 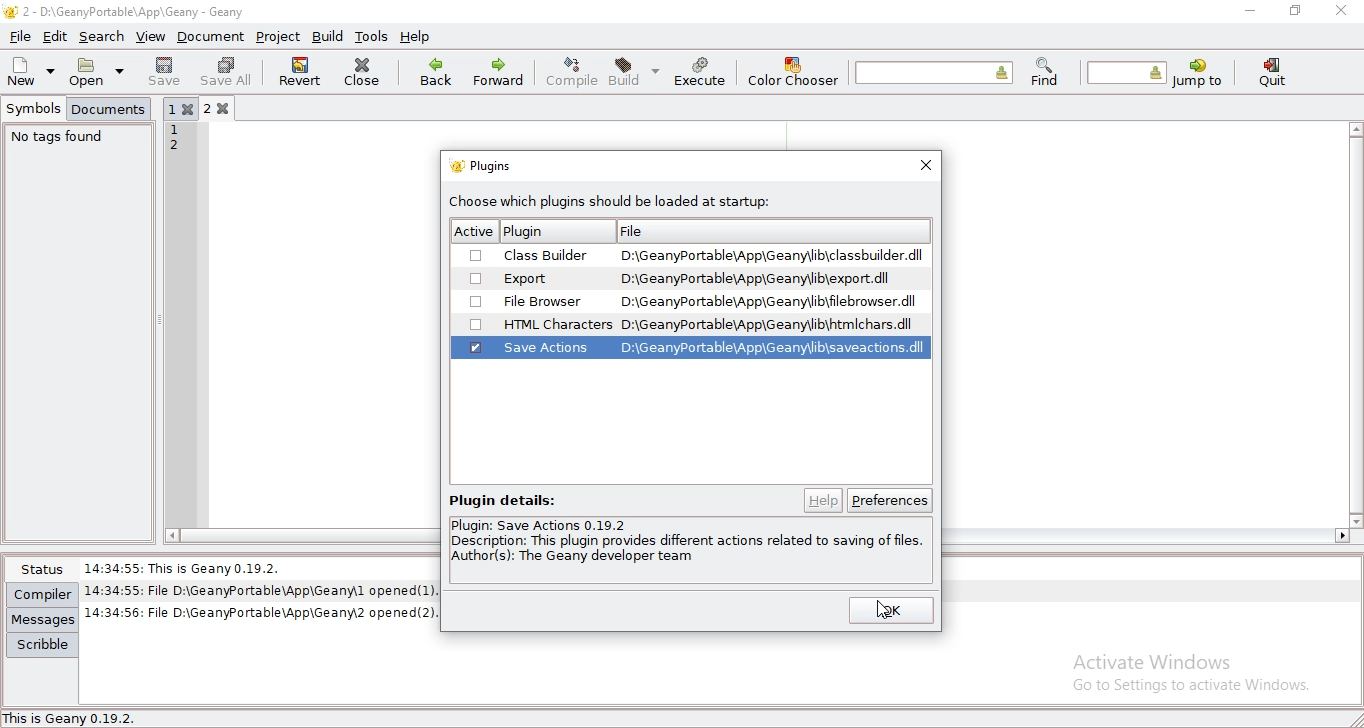 What do you see at coordinates (436, 72) in the screenshot?
I see `back` at bounding box center [436, 72].